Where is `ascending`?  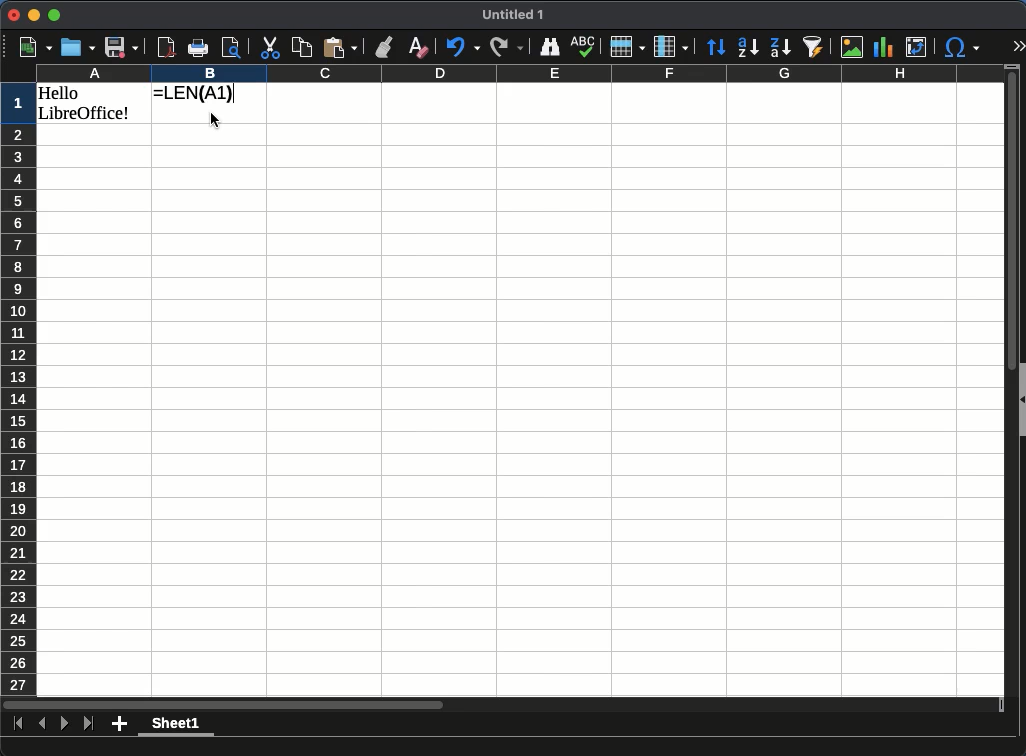
ascending is located at coordinates (748, 45).